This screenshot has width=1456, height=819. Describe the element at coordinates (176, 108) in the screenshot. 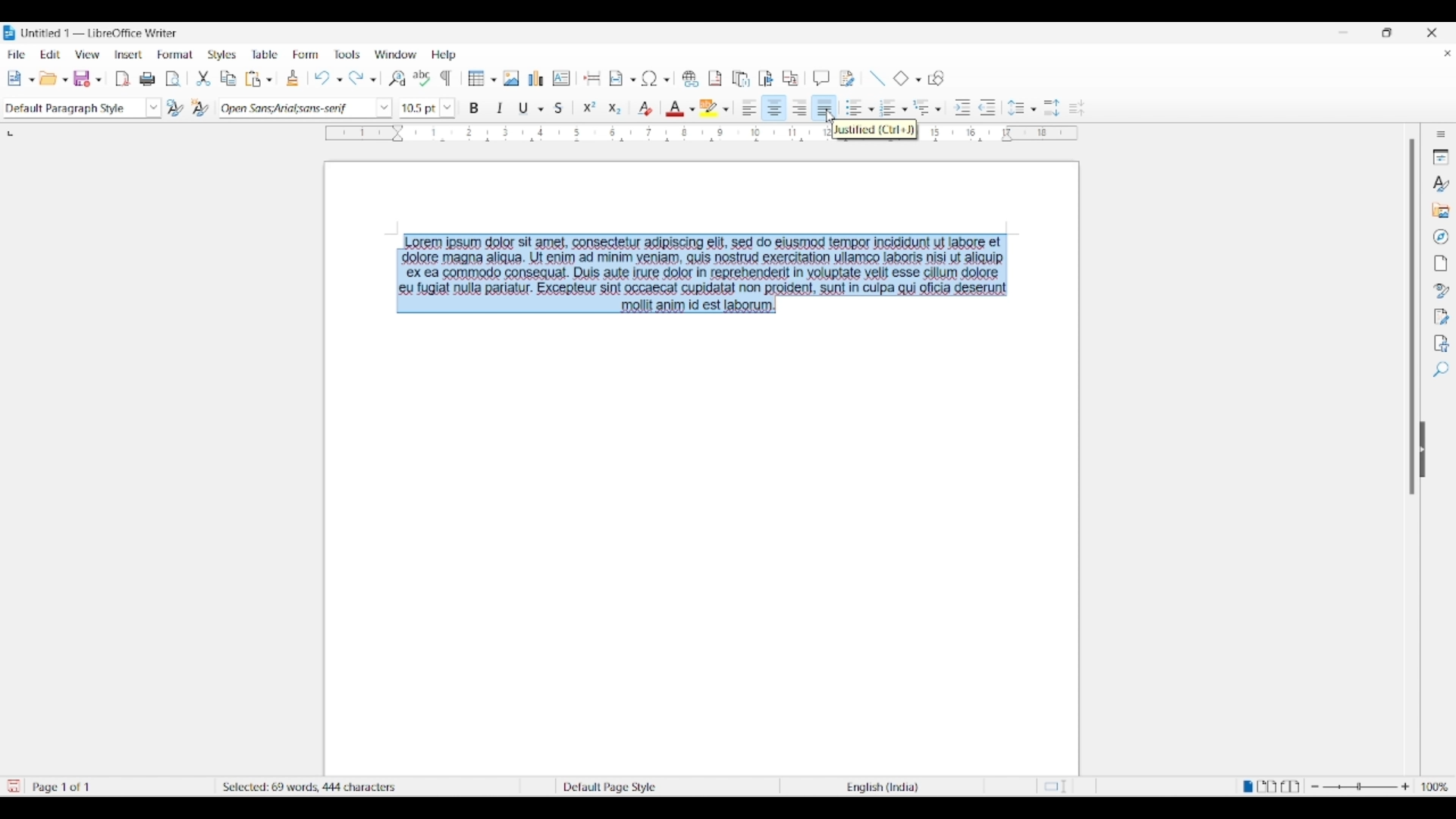

I see `Update selected style` at that location.